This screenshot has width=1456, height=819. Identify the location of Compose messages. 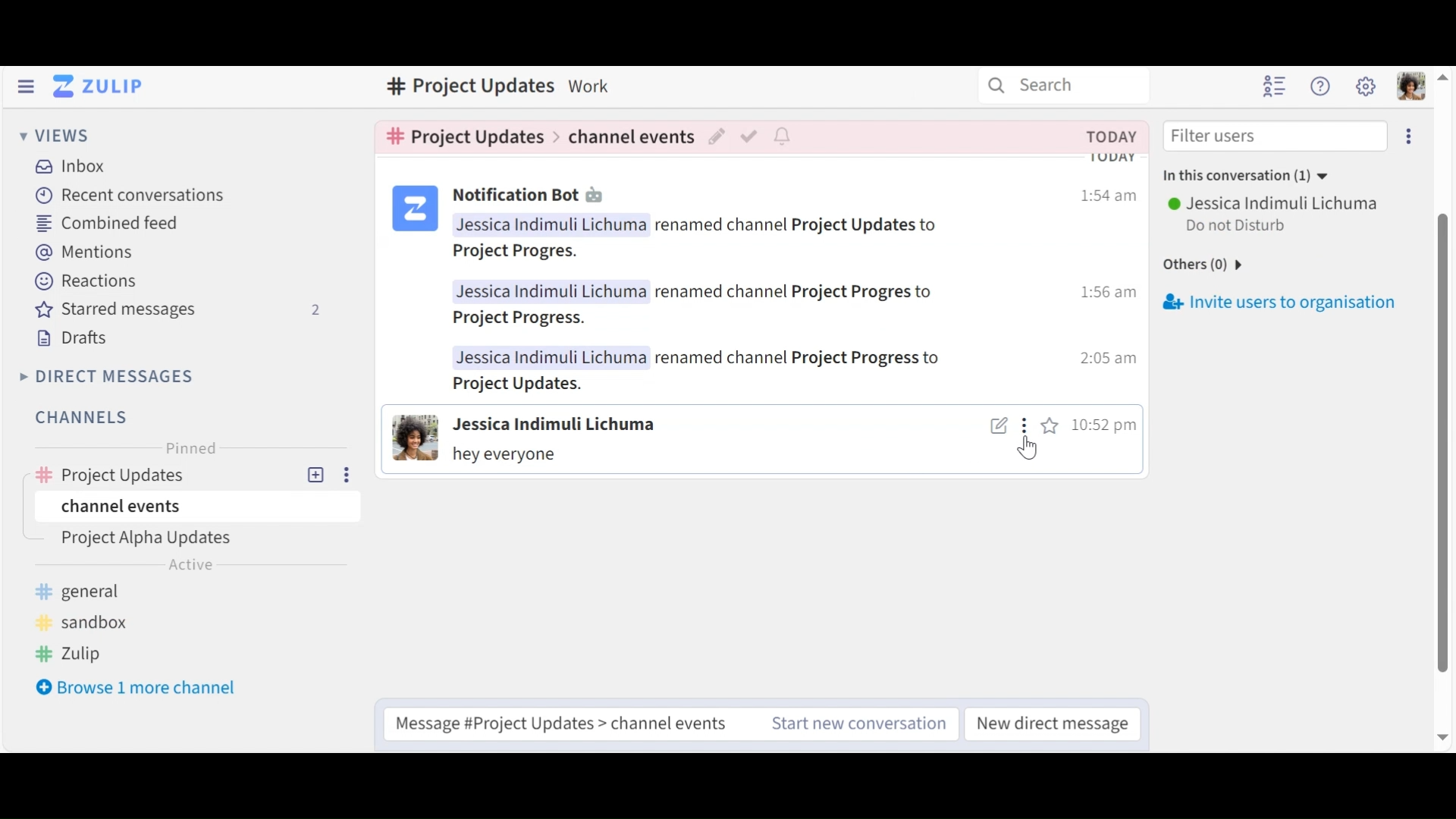
(563, 720).